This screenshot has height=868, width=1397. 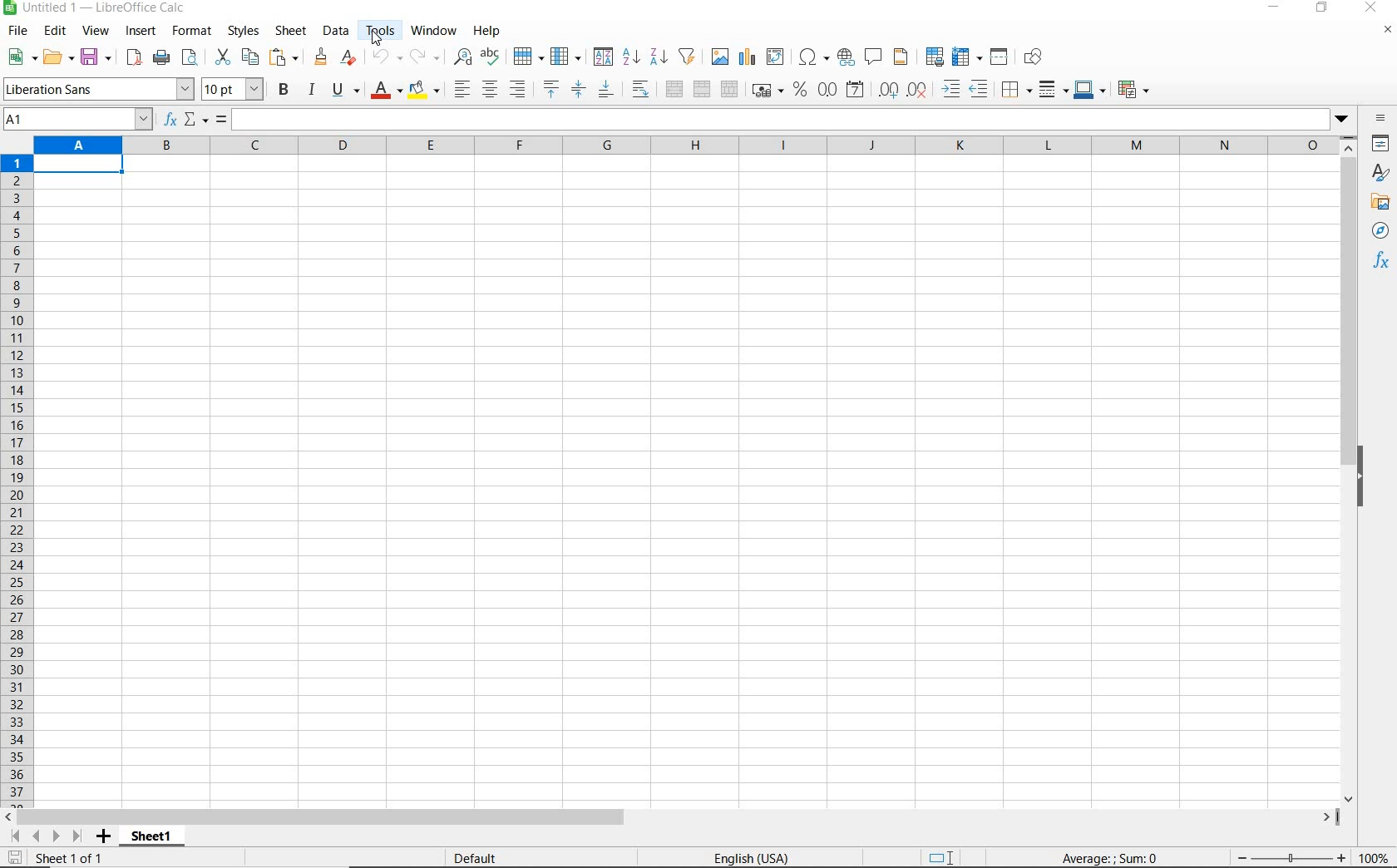 I want to click on Cursor, so click(x=376, y=38).